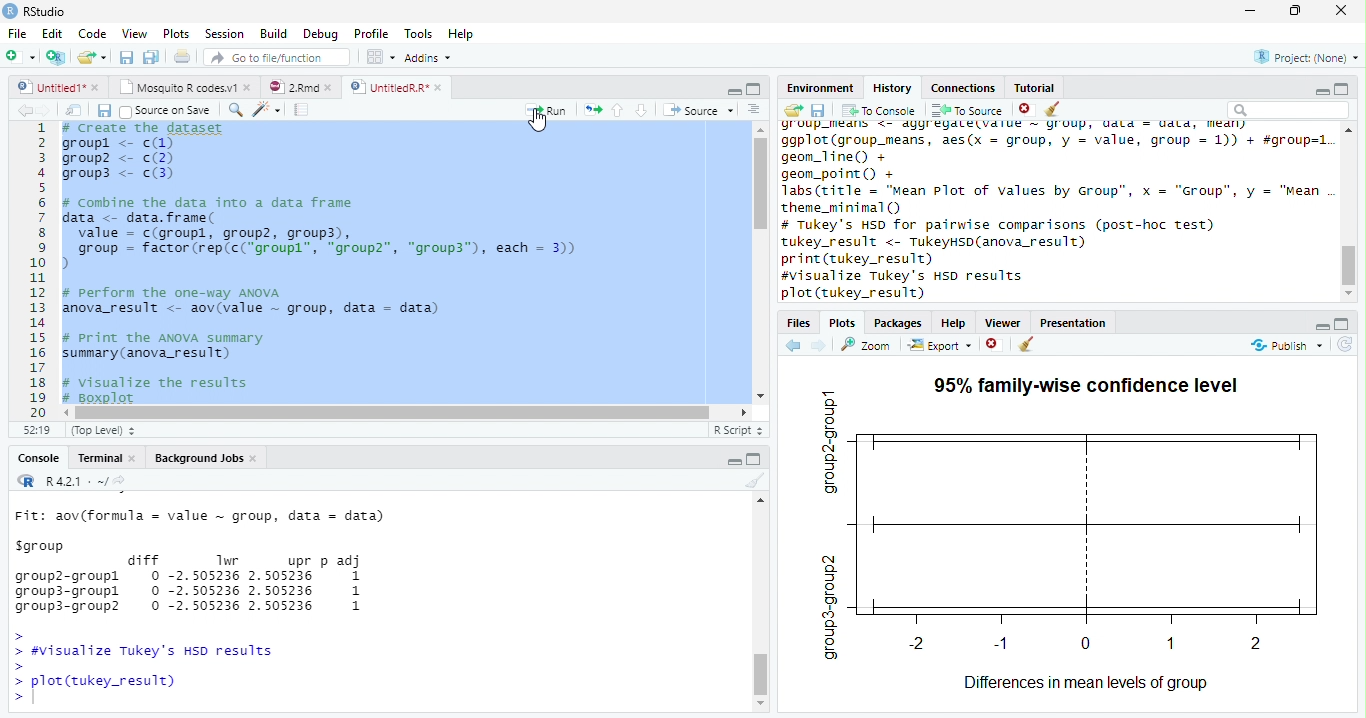 This screenshot has height=718, width=1366. I want to click on Tutorial, so click(1036, 86).